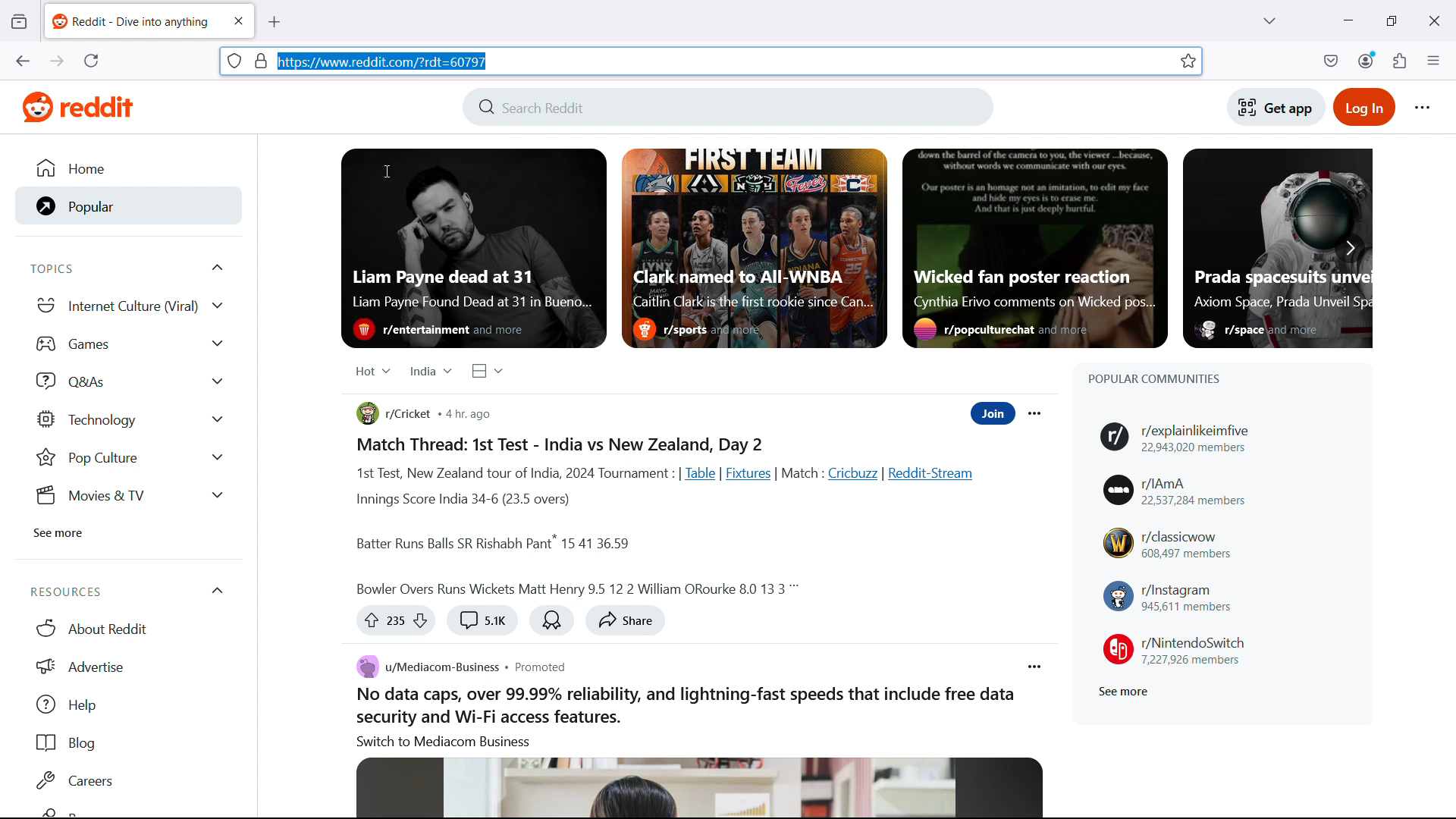 The width and height of the screenshot is (1456, 819). I want to click on view recent browsing, so click(20, 21).